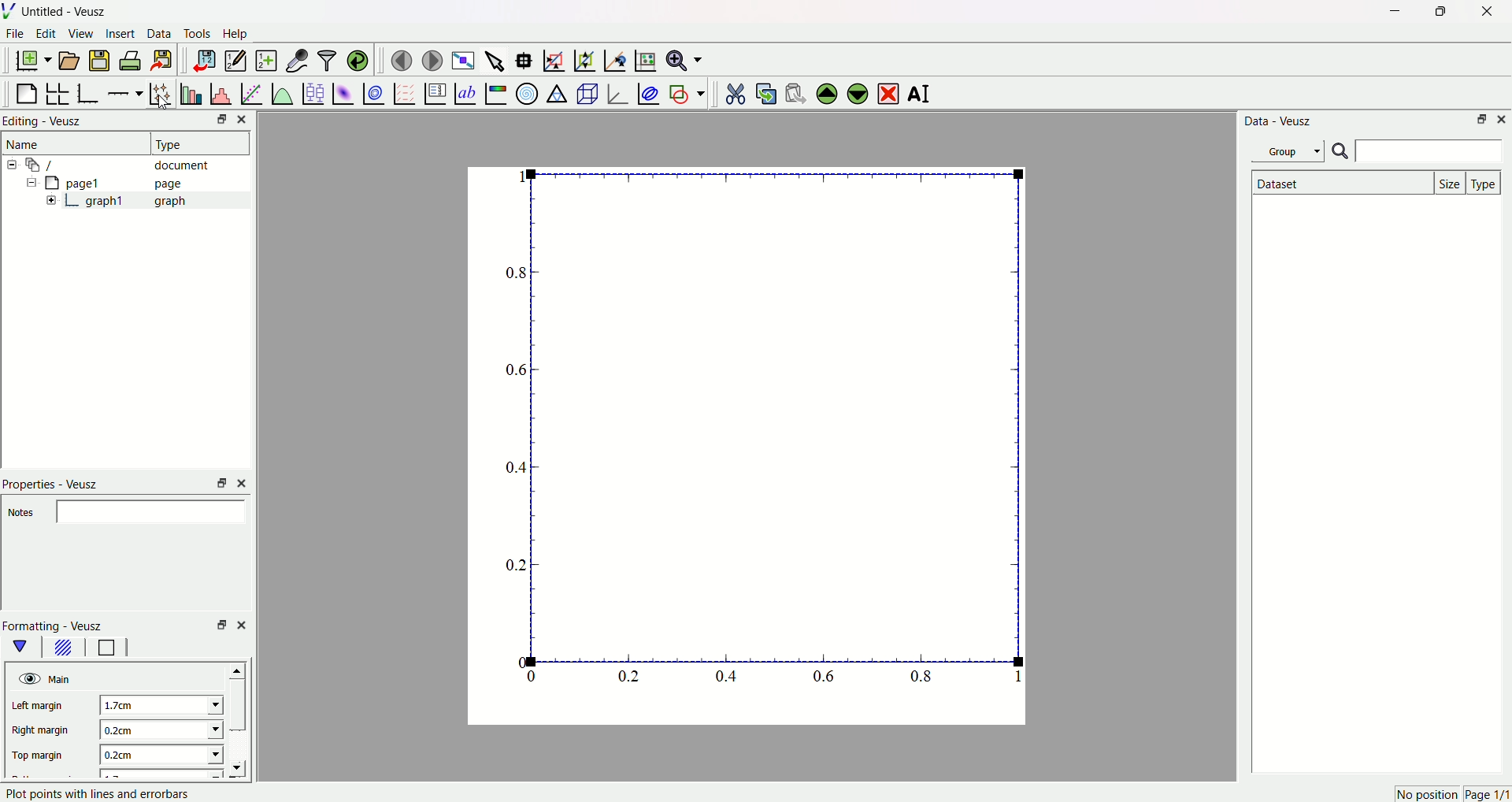 The height and width of the screenshot is (802, 1512). Describe the element at coordinates (1503, 120) in the screenshot. I see `Close` at that location.